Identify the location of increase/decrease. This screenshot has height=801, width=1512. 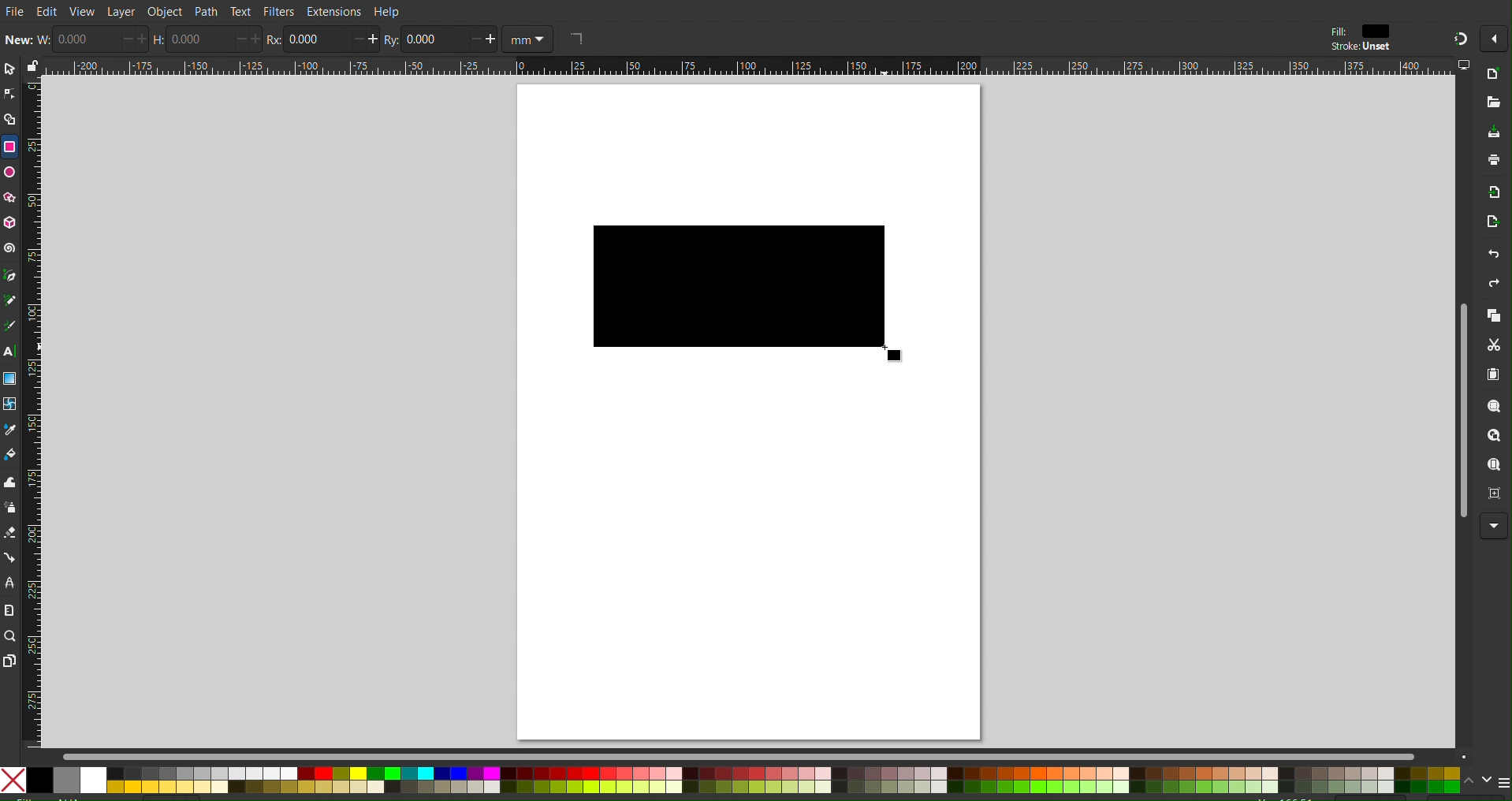
(367, 39).